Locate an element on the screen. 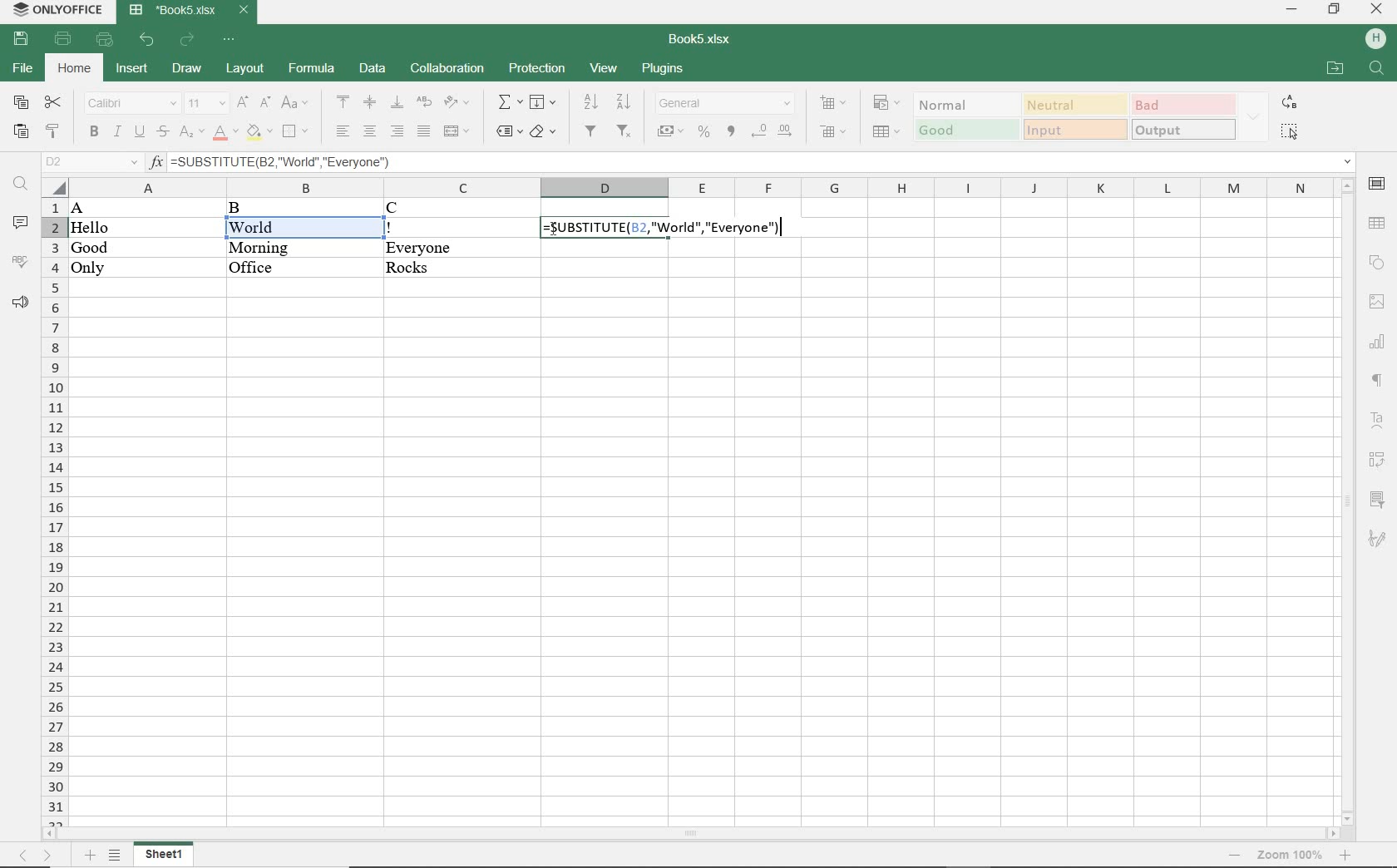 This screenshot has height=868, width=1397. open file location is located at coordinates (1334, 70).